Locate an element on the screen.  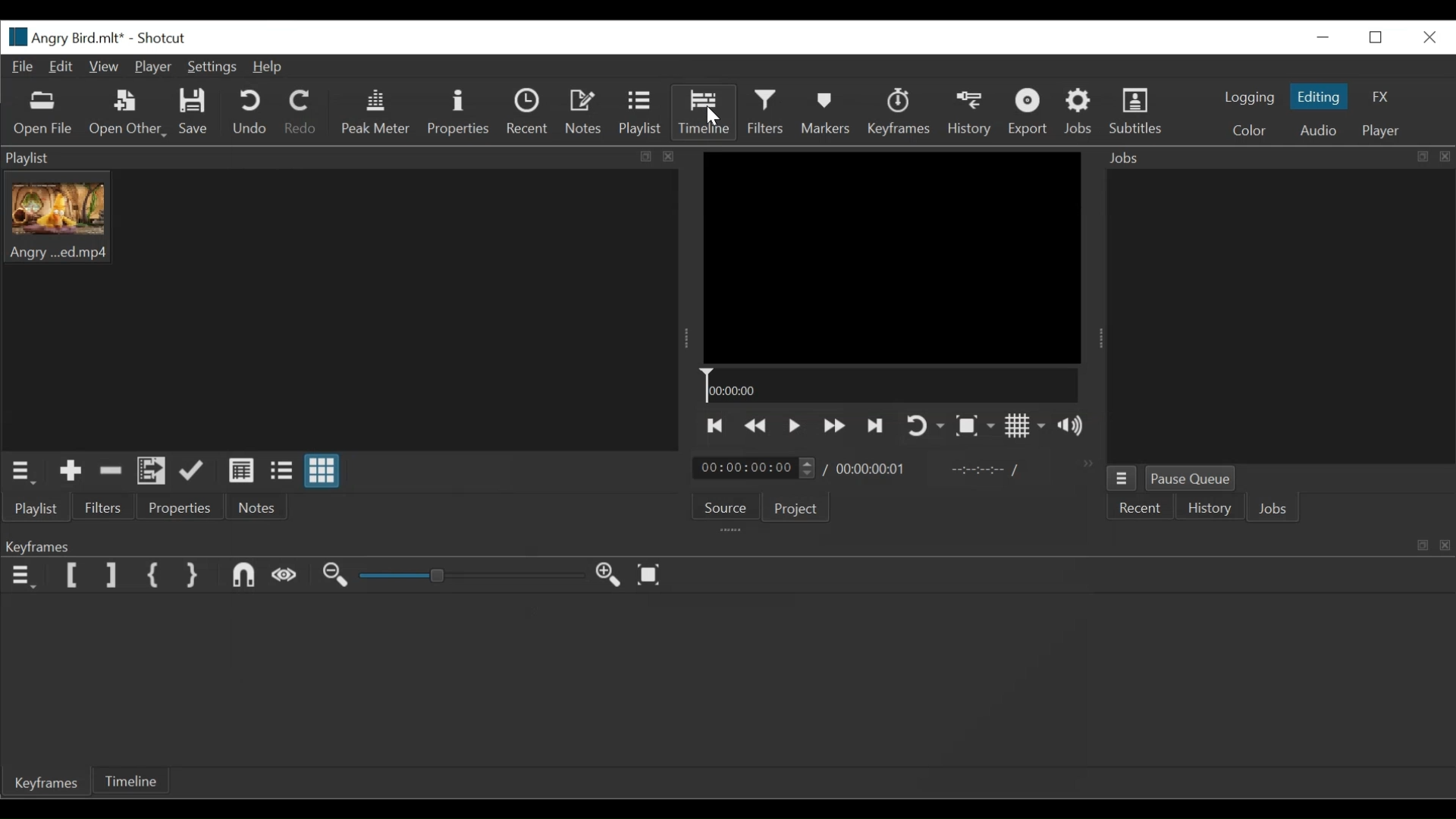
Update is located at coordinates (192, 471).